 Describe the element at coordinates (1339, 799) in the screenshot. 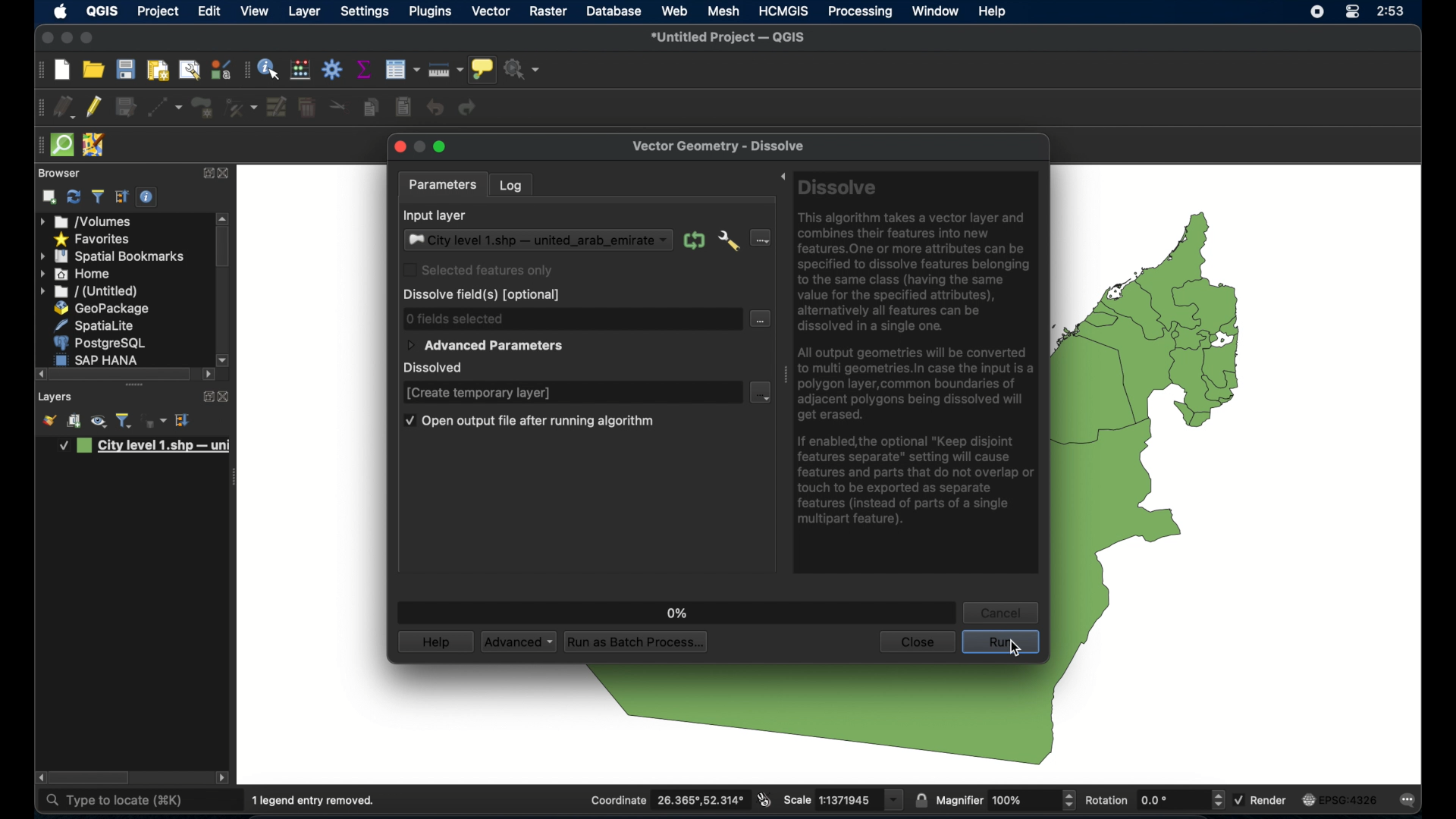

I see `current crs` at that location.